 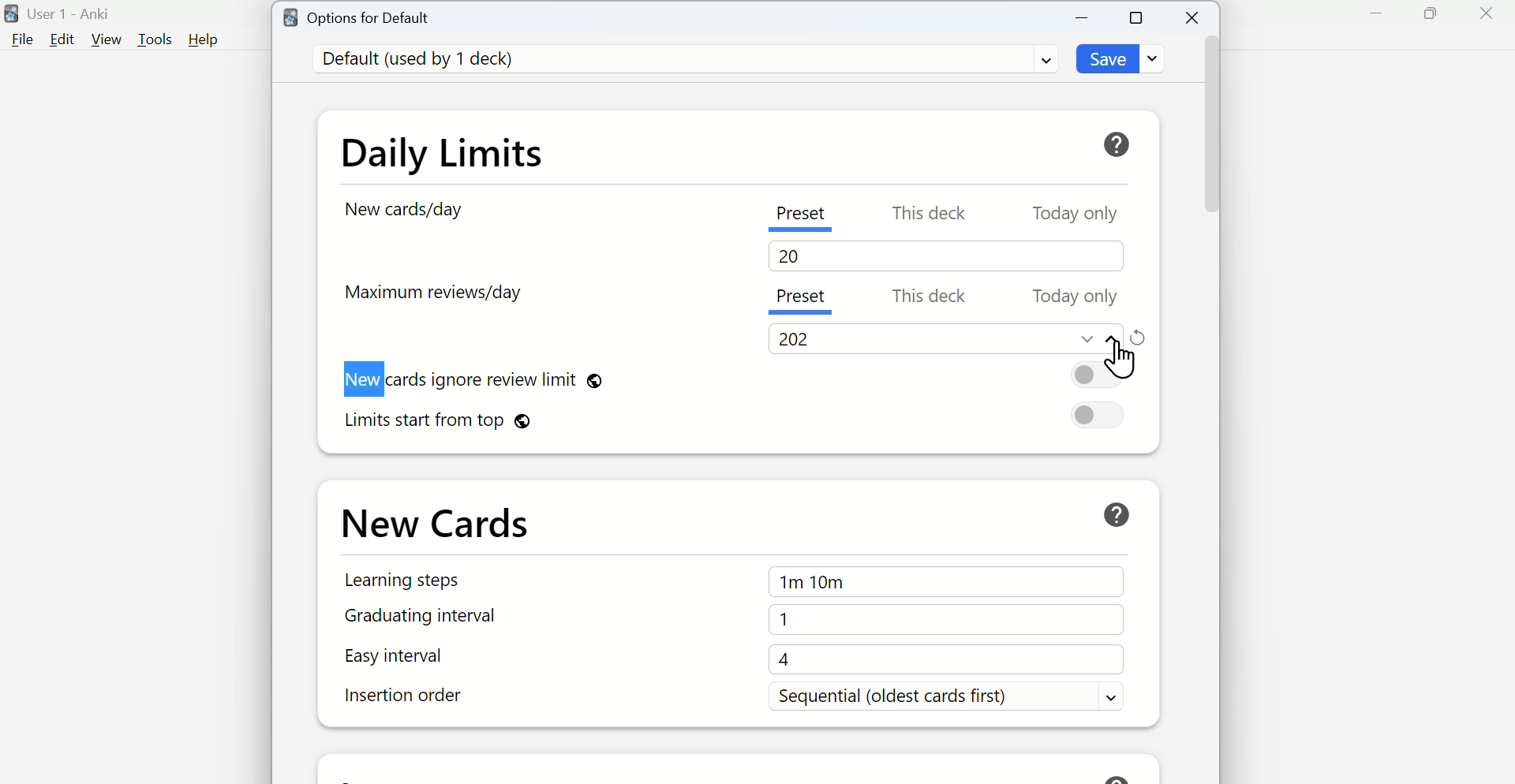 I want to click on 202, so click(x=793, y=339).